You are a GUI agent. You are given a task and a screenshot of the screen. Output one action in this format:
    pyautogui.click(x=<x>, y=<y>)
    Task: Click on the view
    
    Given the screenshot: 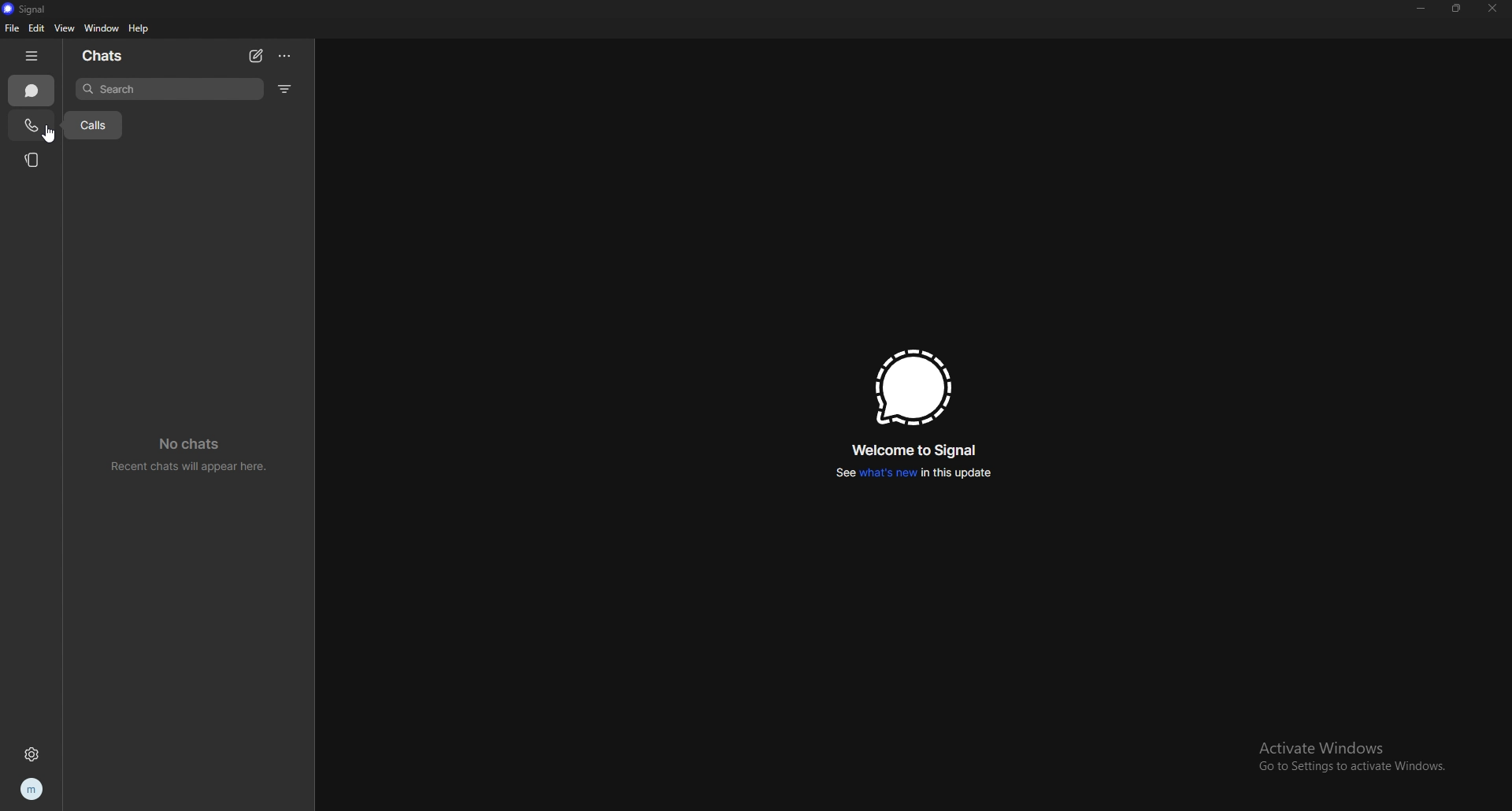 What is the action you would take?
    pyautogui.click(x=64, y=28)
    